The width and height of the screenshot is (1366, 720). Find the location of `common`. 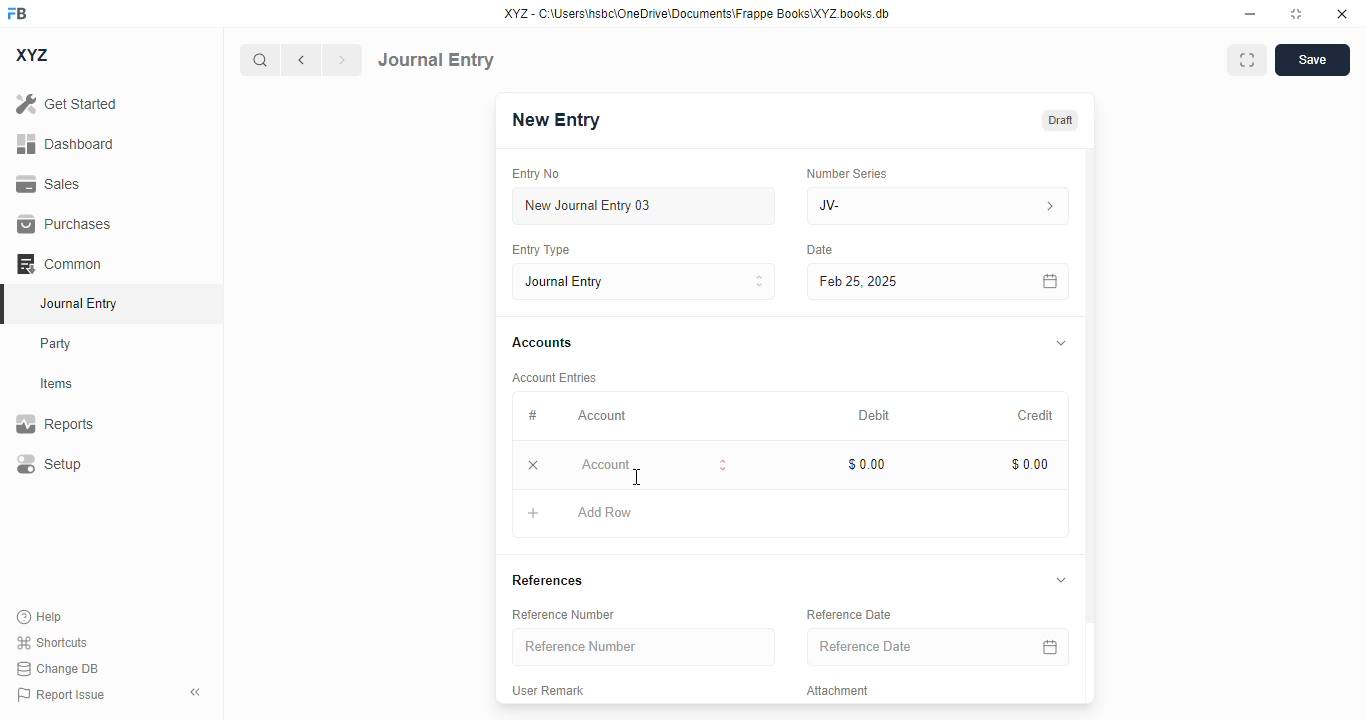

common is located at coordinates (59, 264).